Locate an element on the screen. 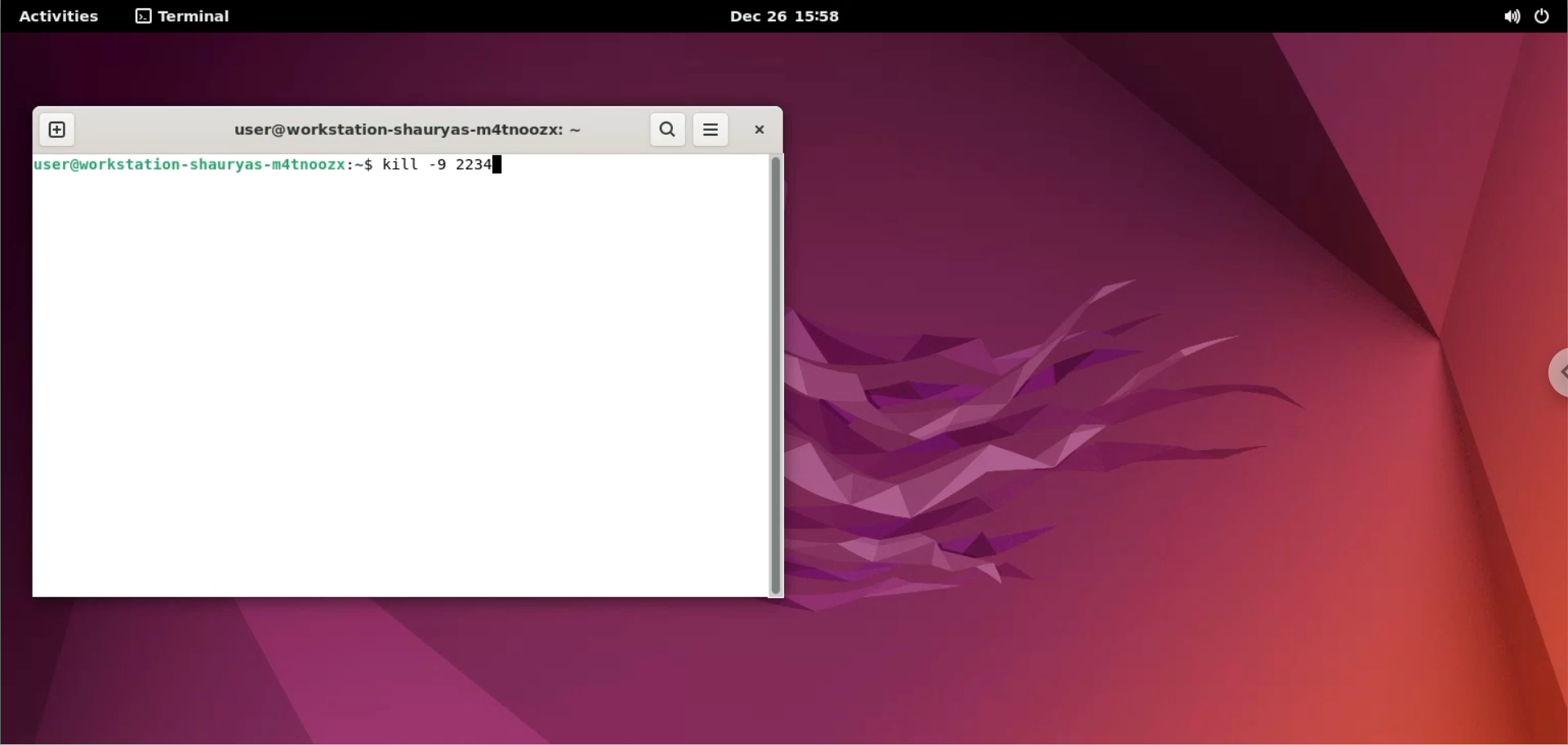 This screenshot has width=1568, height=745. scrollbar is located at coordinates (776, 377).